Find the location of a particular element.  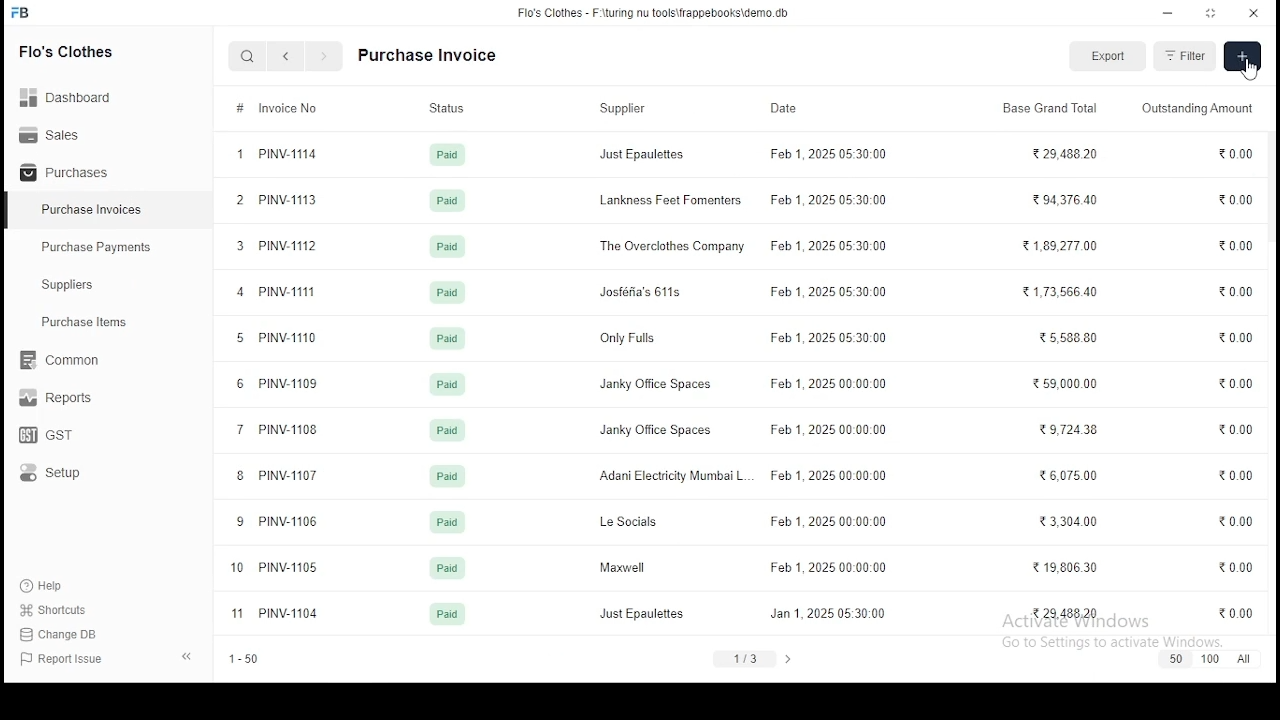

9 is located at coordinates (241, 522).